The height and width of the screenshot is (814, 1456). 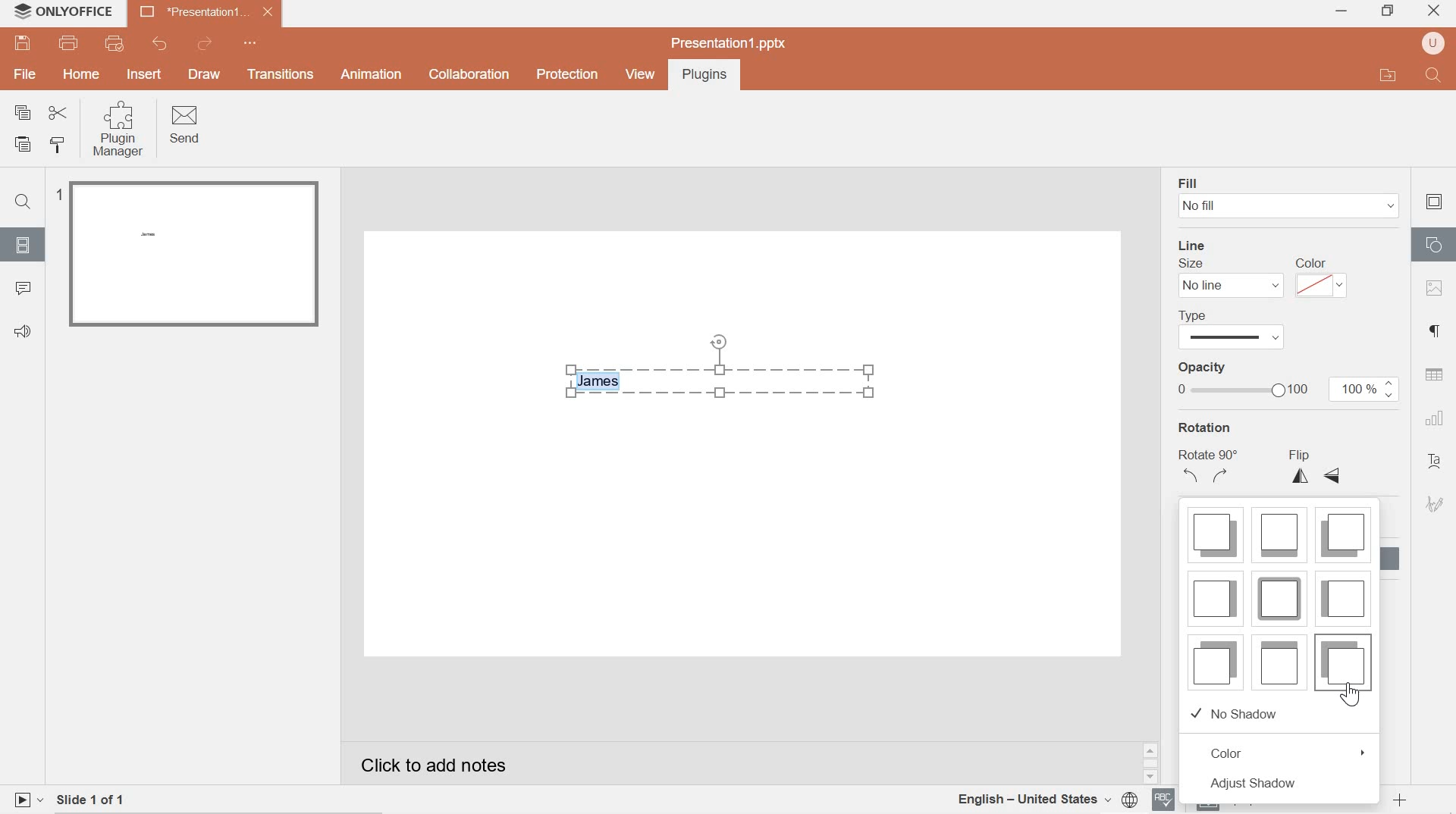 What do you see at coordinates (1279, 751) in the screenshot?
I see `color` at bounding box center [1279, 751].